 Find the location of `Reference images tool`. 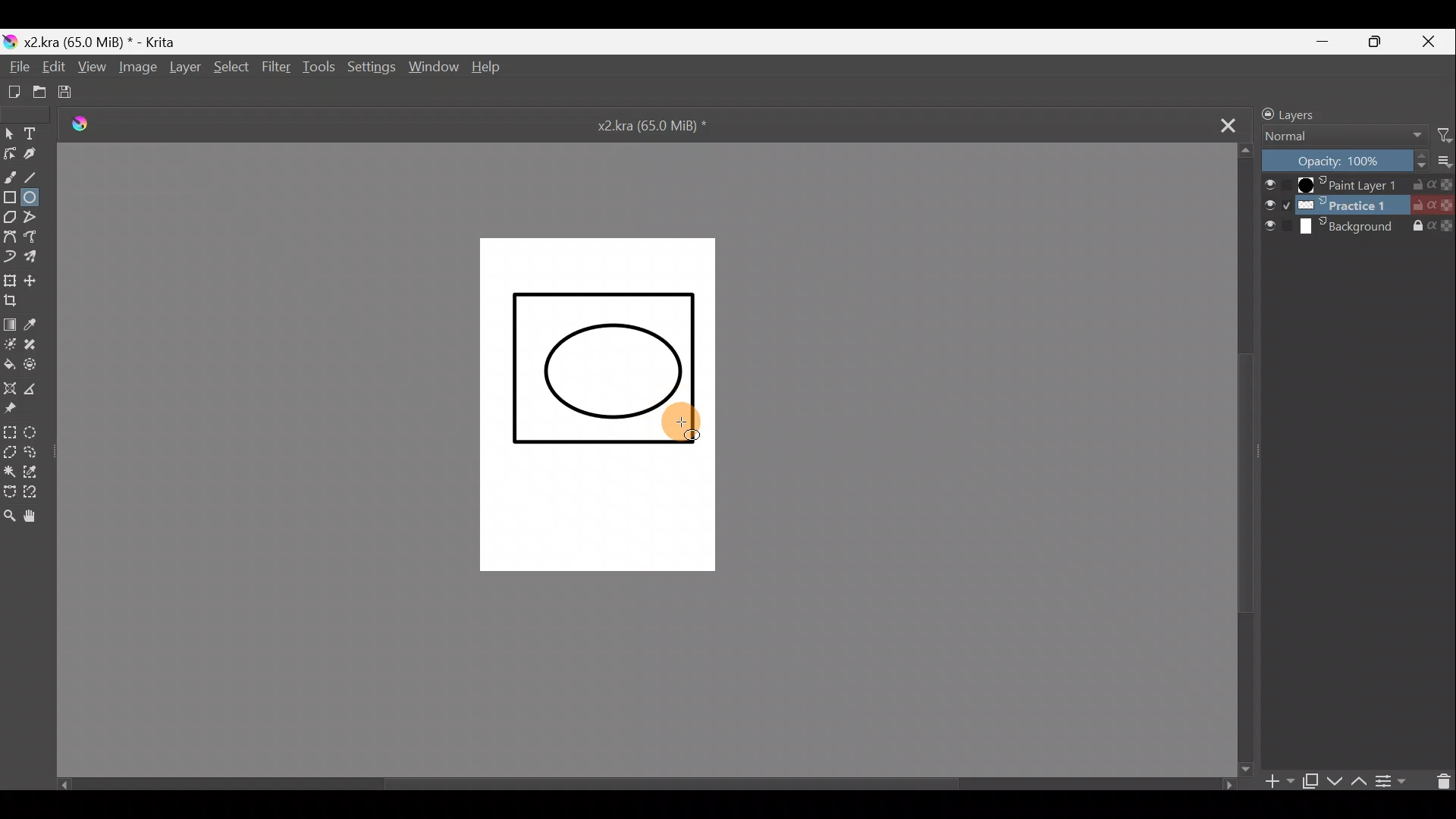

Reference images tool is located at coordinates (17, 410).